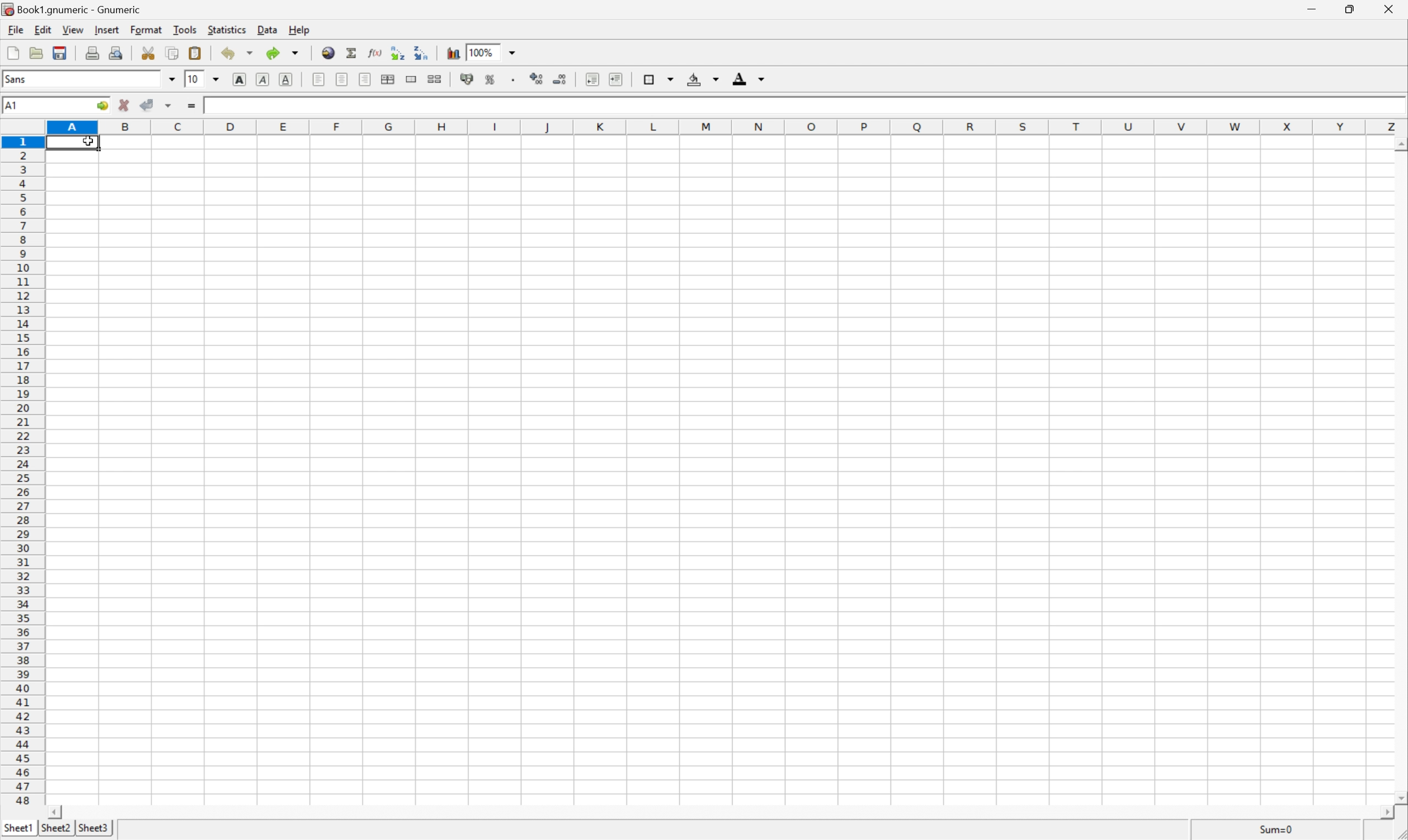 The image size is (1408, 840). Describe the element at coordinates (146, 29) in the screenshot. I see `format` at that location.